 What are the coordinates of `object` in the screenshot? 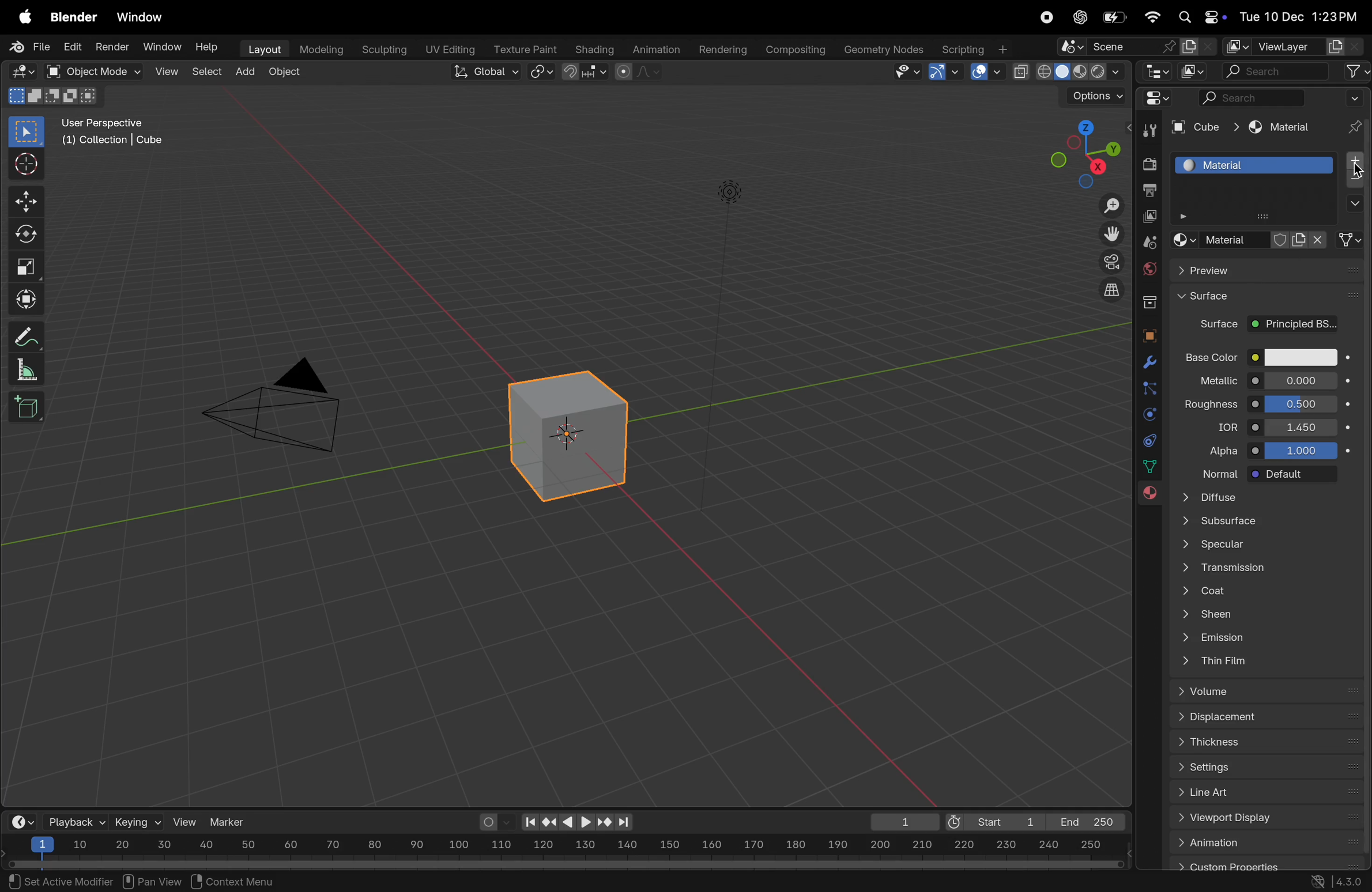 It's located at (1148, 336).